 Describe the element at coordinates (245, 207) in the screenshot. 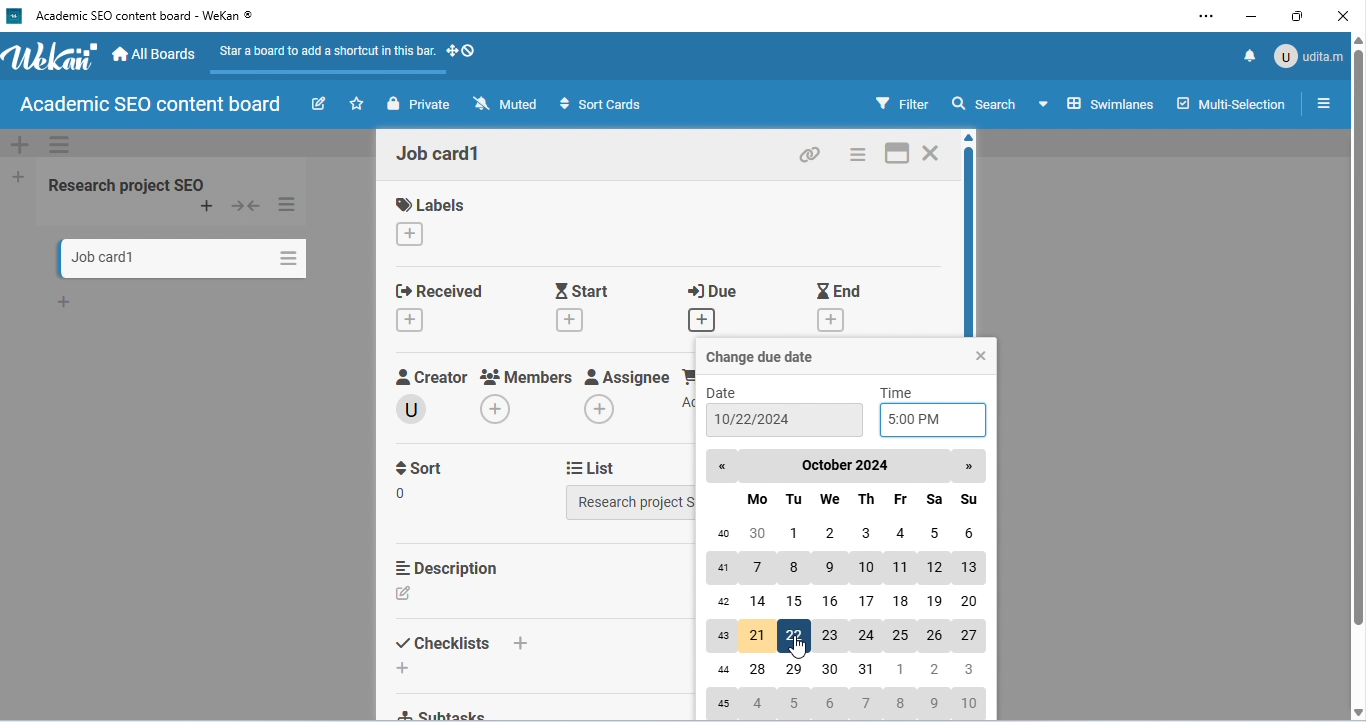

I see `collapse` at that location.